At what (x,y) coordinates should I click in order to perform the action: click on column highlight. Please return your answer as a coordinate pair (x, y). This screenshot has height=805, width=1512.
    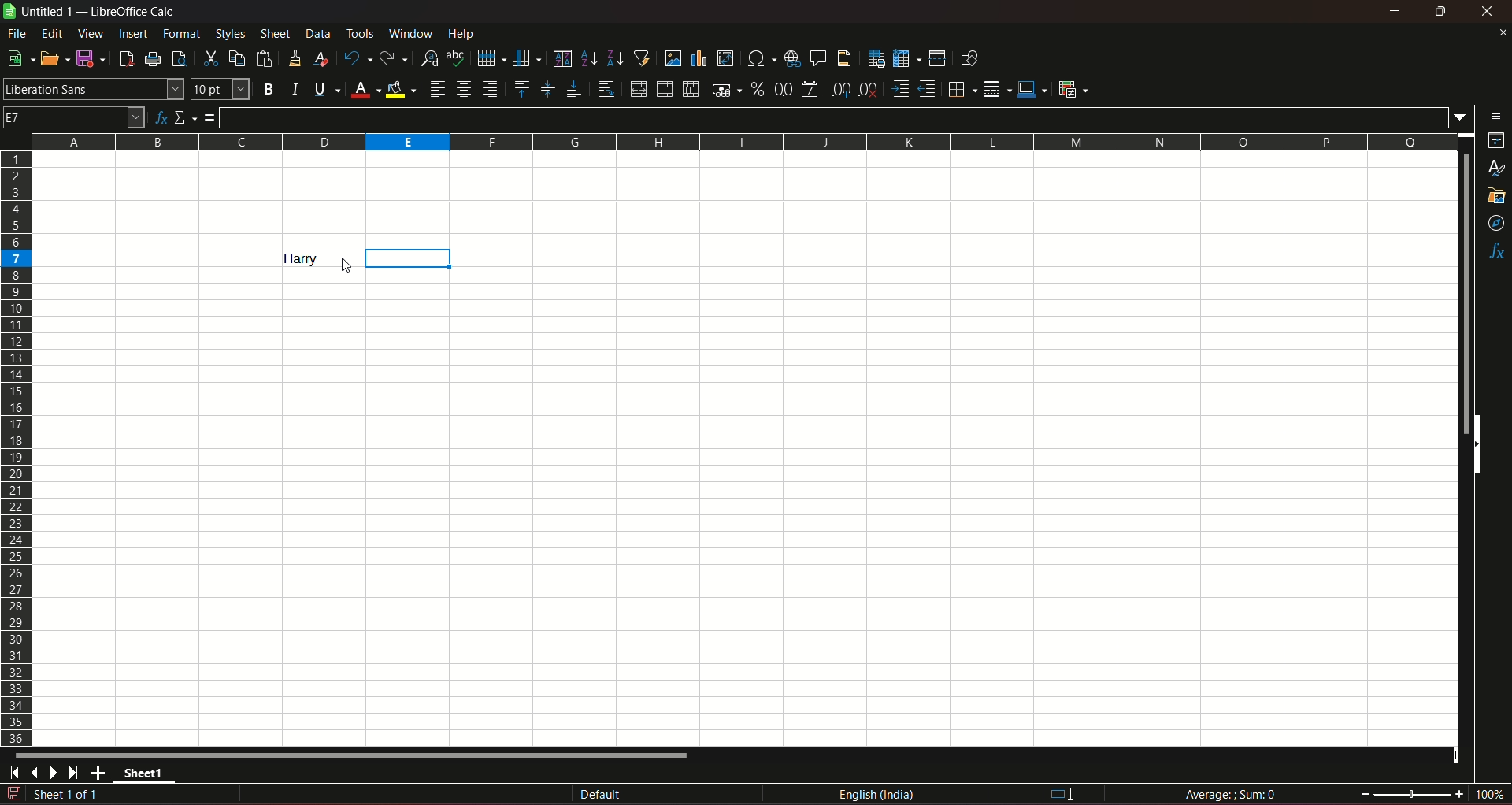
    Looking at the image, I should click on (413, 258).